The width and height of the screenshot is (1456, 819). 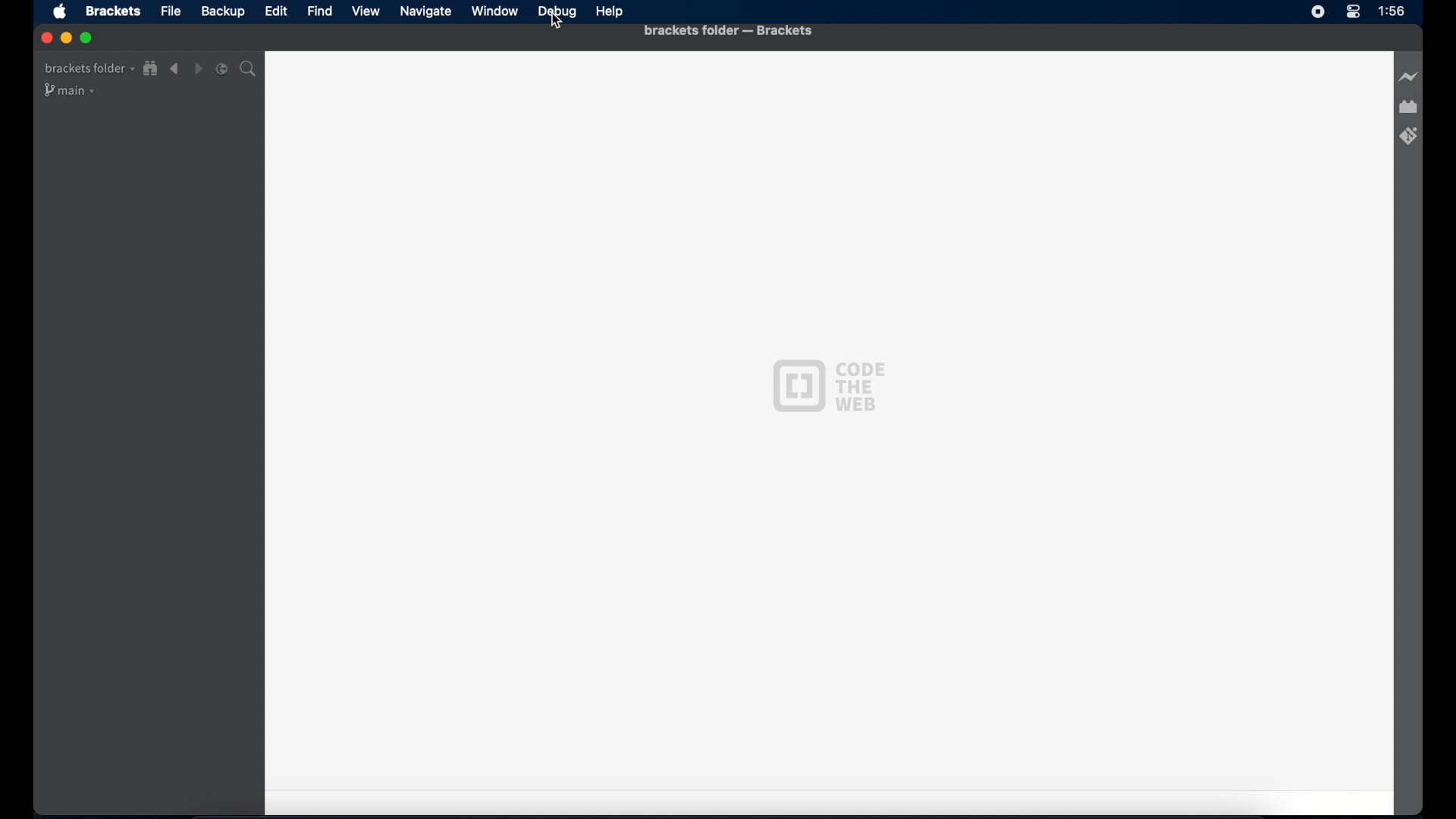 I want to click on search icon, so click(x=250, y=70).